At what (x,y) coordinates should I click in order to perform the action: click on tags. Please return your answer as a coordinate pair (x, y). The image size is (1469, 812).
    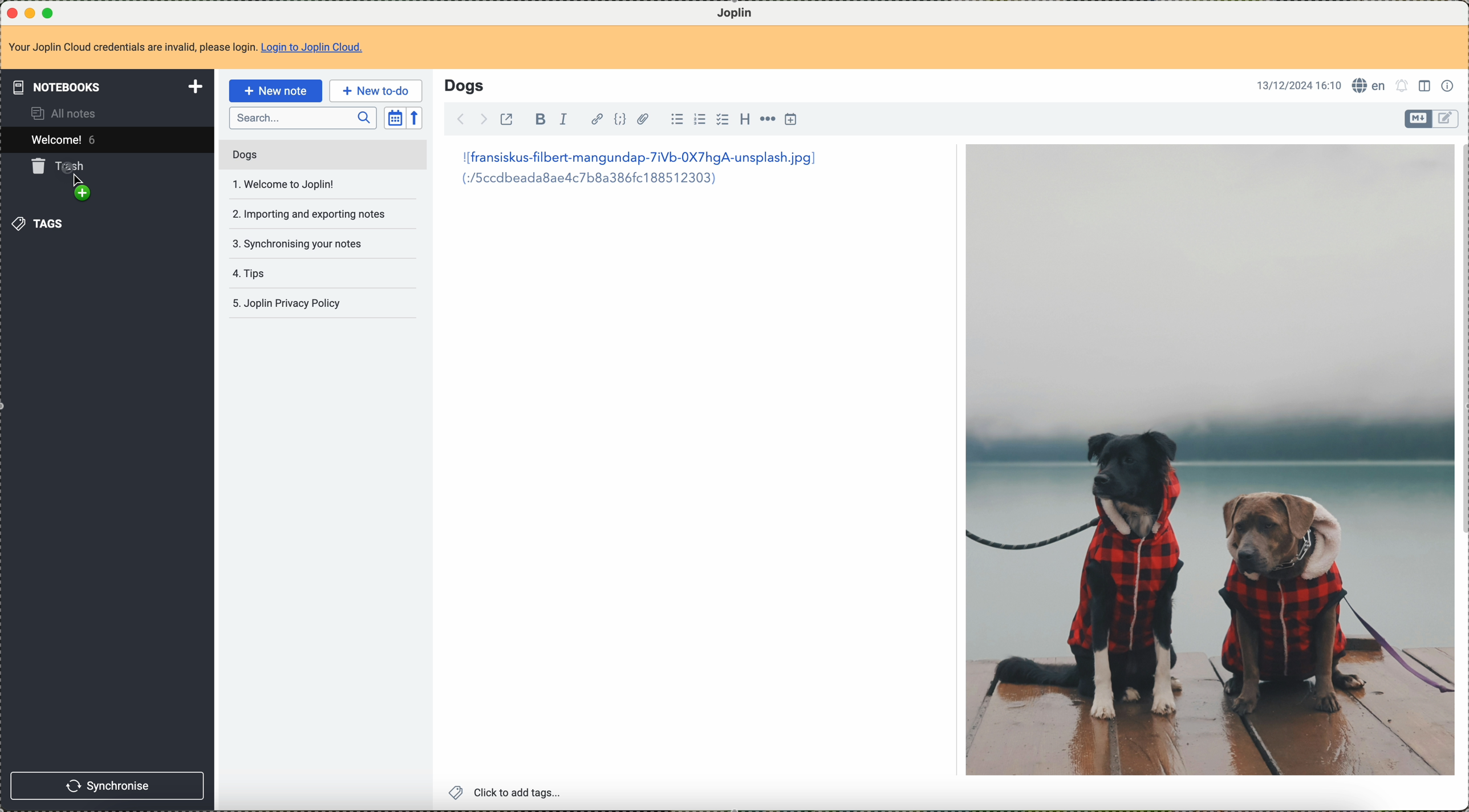
    Looking at the image, I should click on (42, 226).